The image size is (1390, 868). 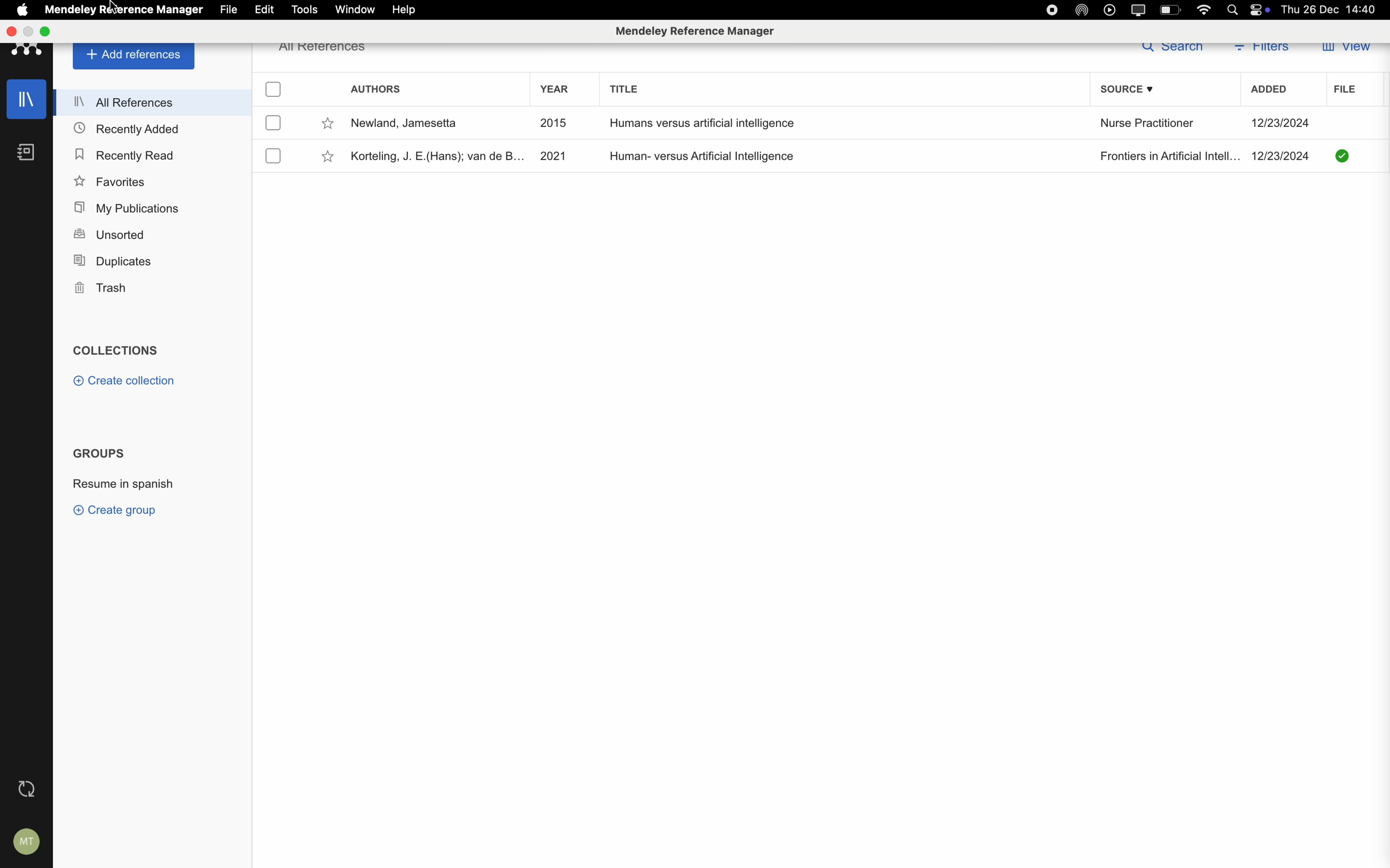 What do you see at coordinates (119, 350) in the screenshot?
I see `collections` at bounding box center [119, 350].